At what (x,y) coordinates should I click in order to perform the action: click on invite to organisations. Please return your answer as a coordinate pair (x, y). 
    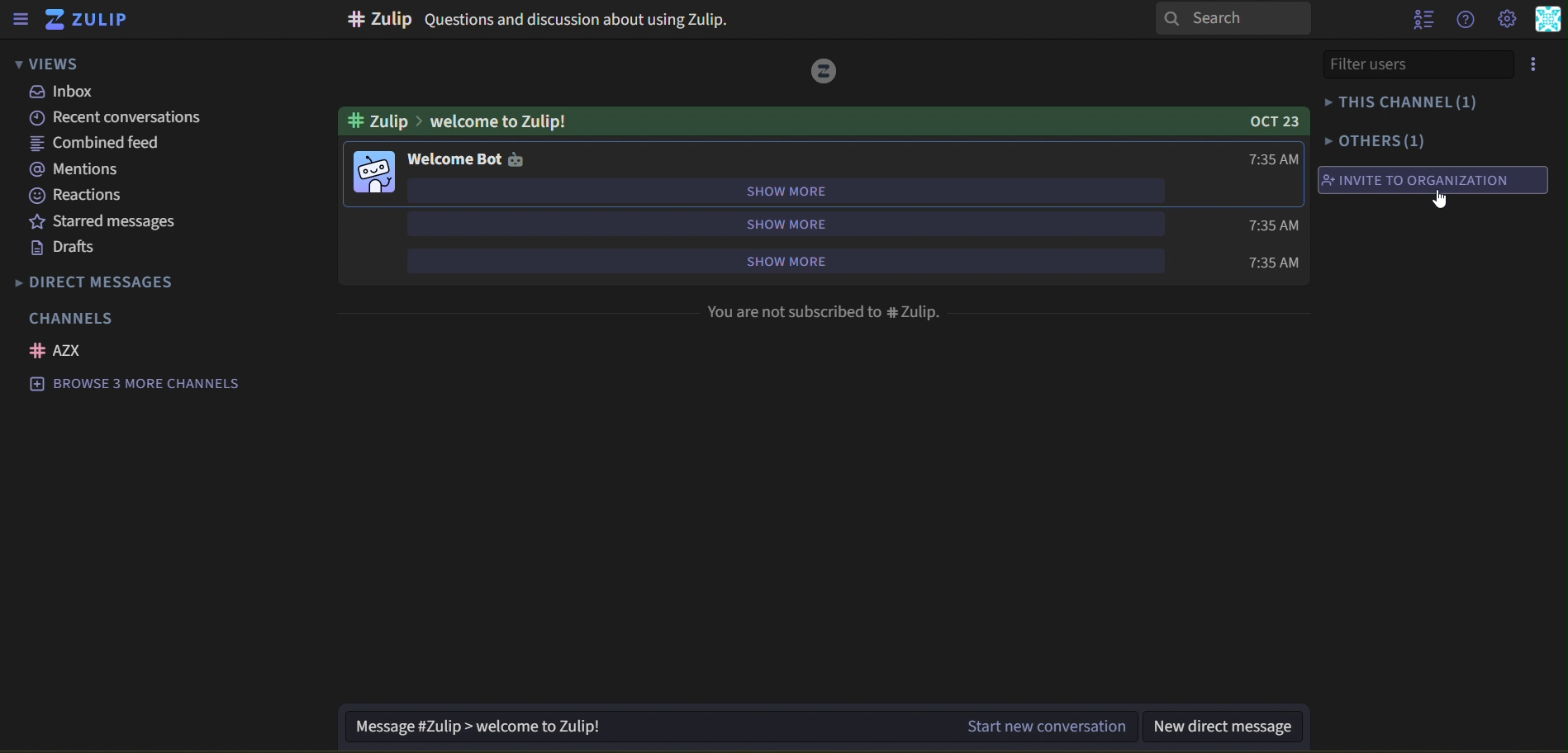
    Looking at the image, I should click on (1418, 180).